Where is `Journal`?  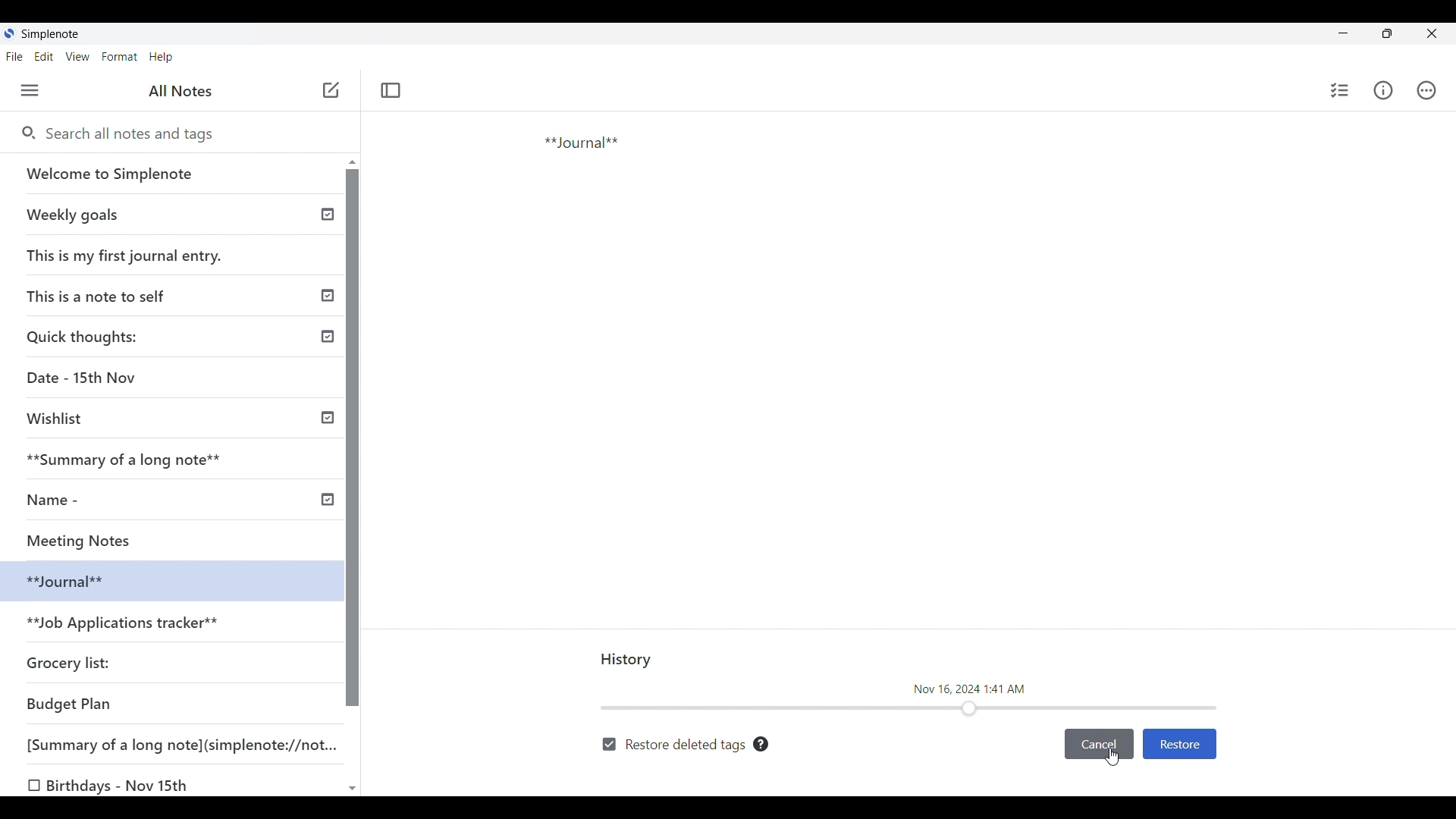
Journal is located at coordinates (644, 199).